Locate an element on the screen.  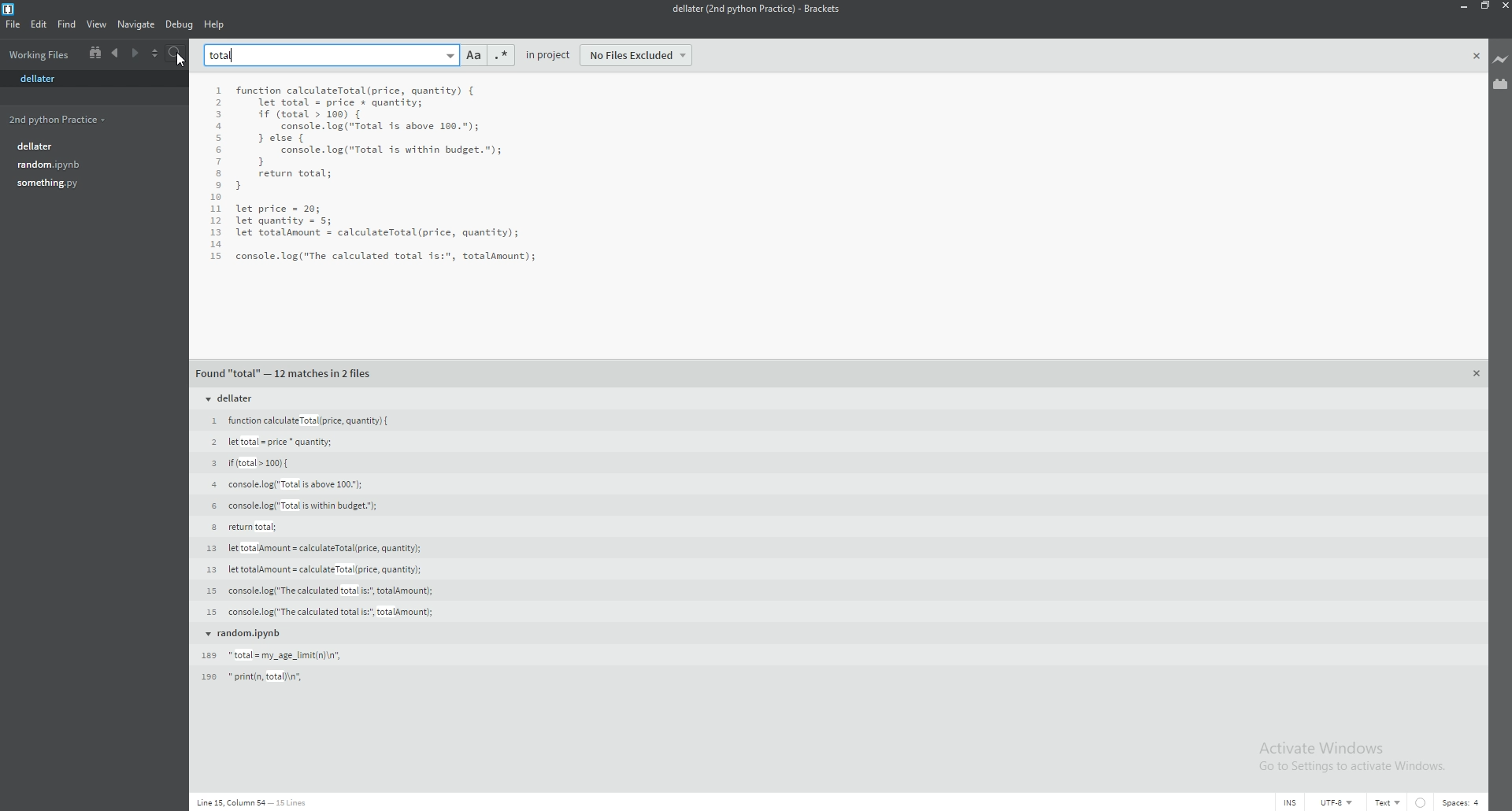
3 if (total>100){ is located at coordinates (248, 462).